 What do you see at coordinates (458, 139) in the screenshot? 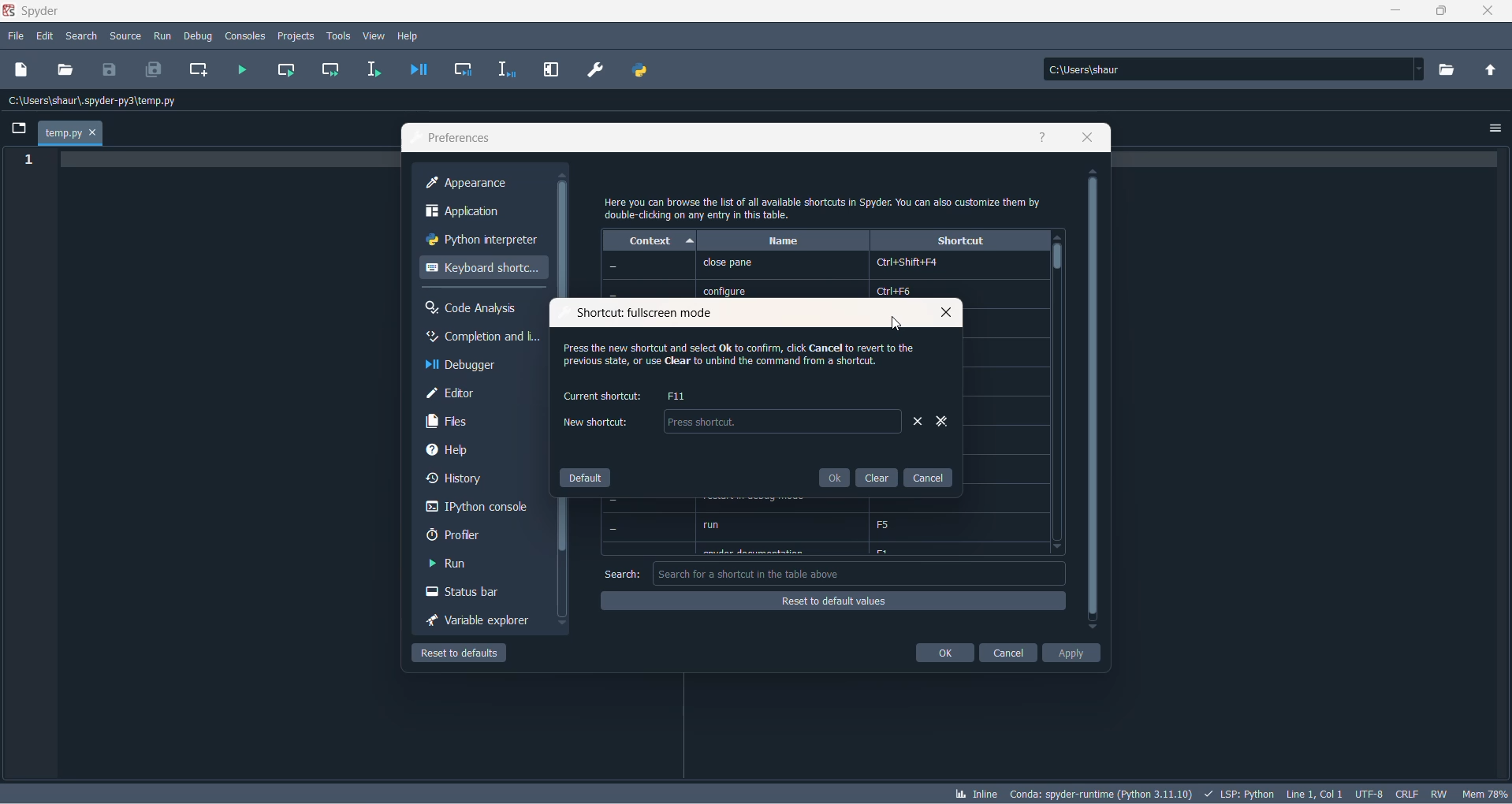
I see `preferences text` at bounding box center [458, 139].